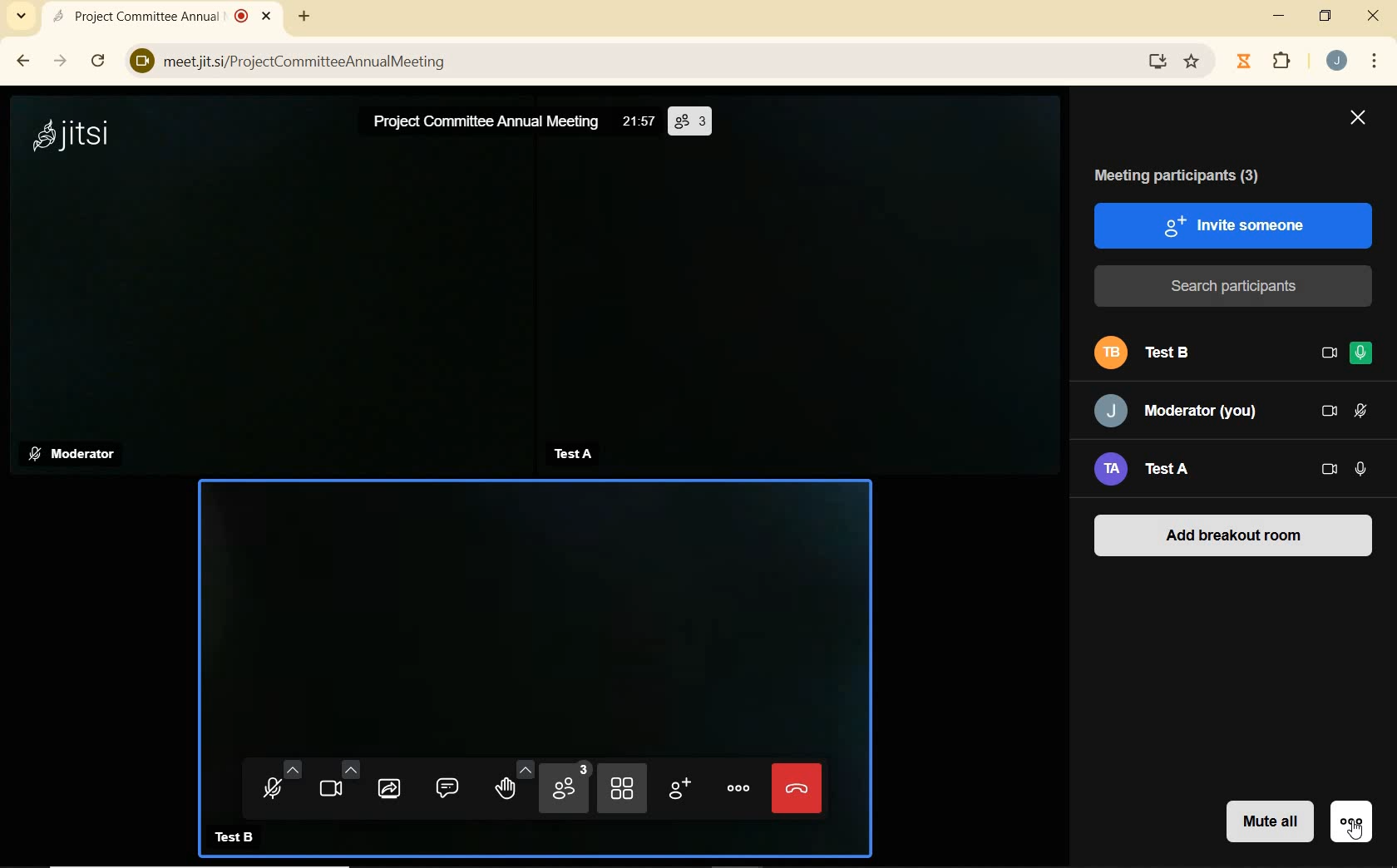 The image size is (1397, 868). Describe the element at coordinates (333, 786) in the screenshot. I see `CAMERA` at that location.